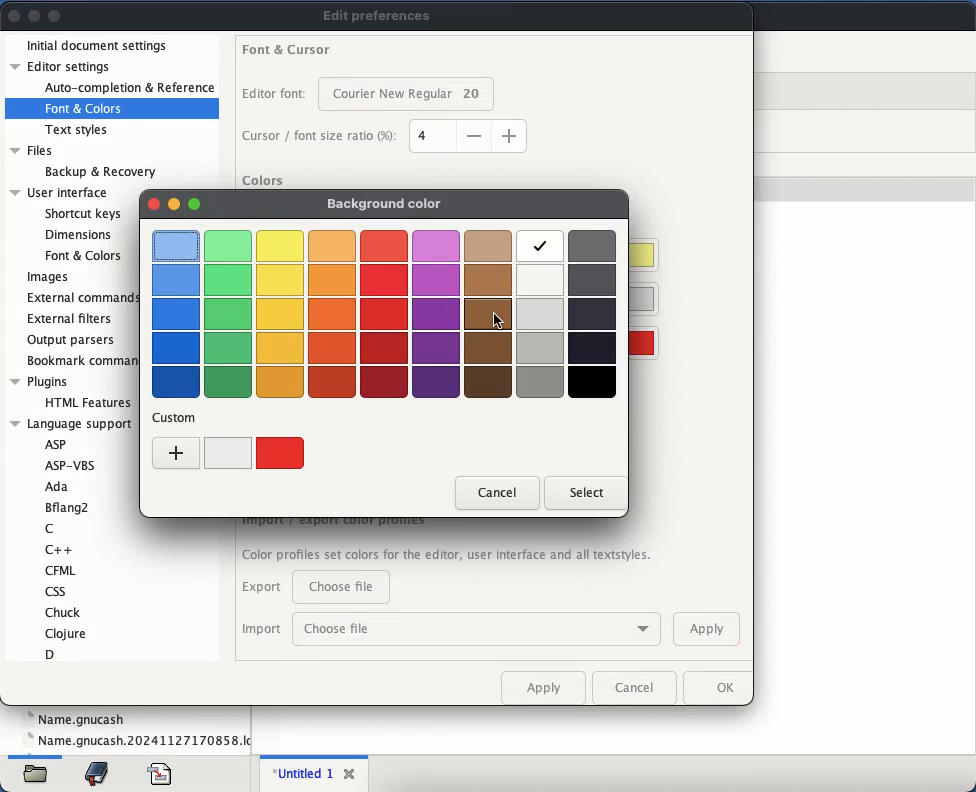  Describe the element at coordinates (386, 315) in the screenshot. I see `colors` at that location.